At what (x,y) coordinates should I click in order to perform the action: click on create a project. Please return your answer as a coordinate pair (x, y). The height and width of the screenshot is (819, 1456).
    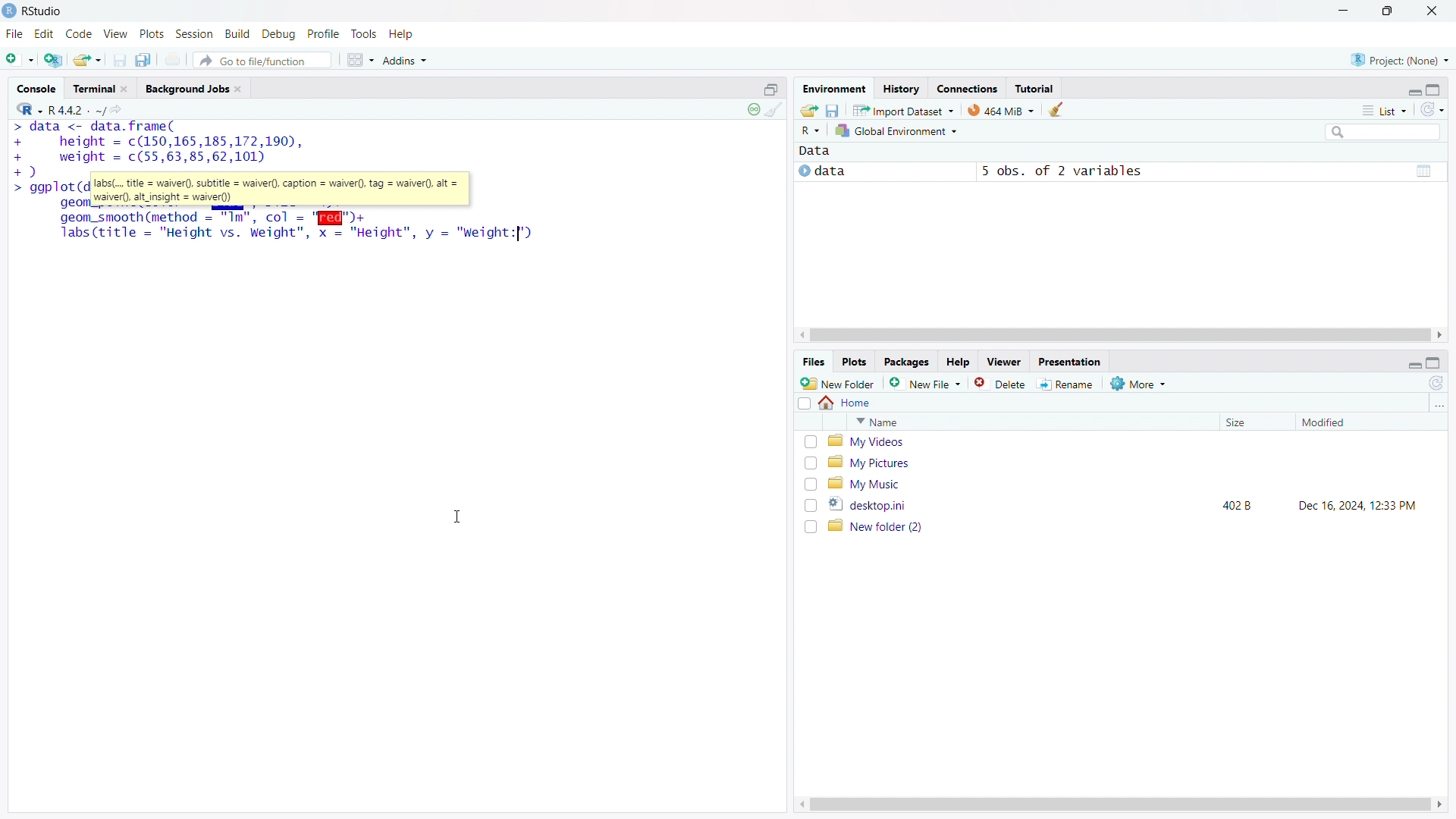
    Looking at the image, I should click on (54, 58).